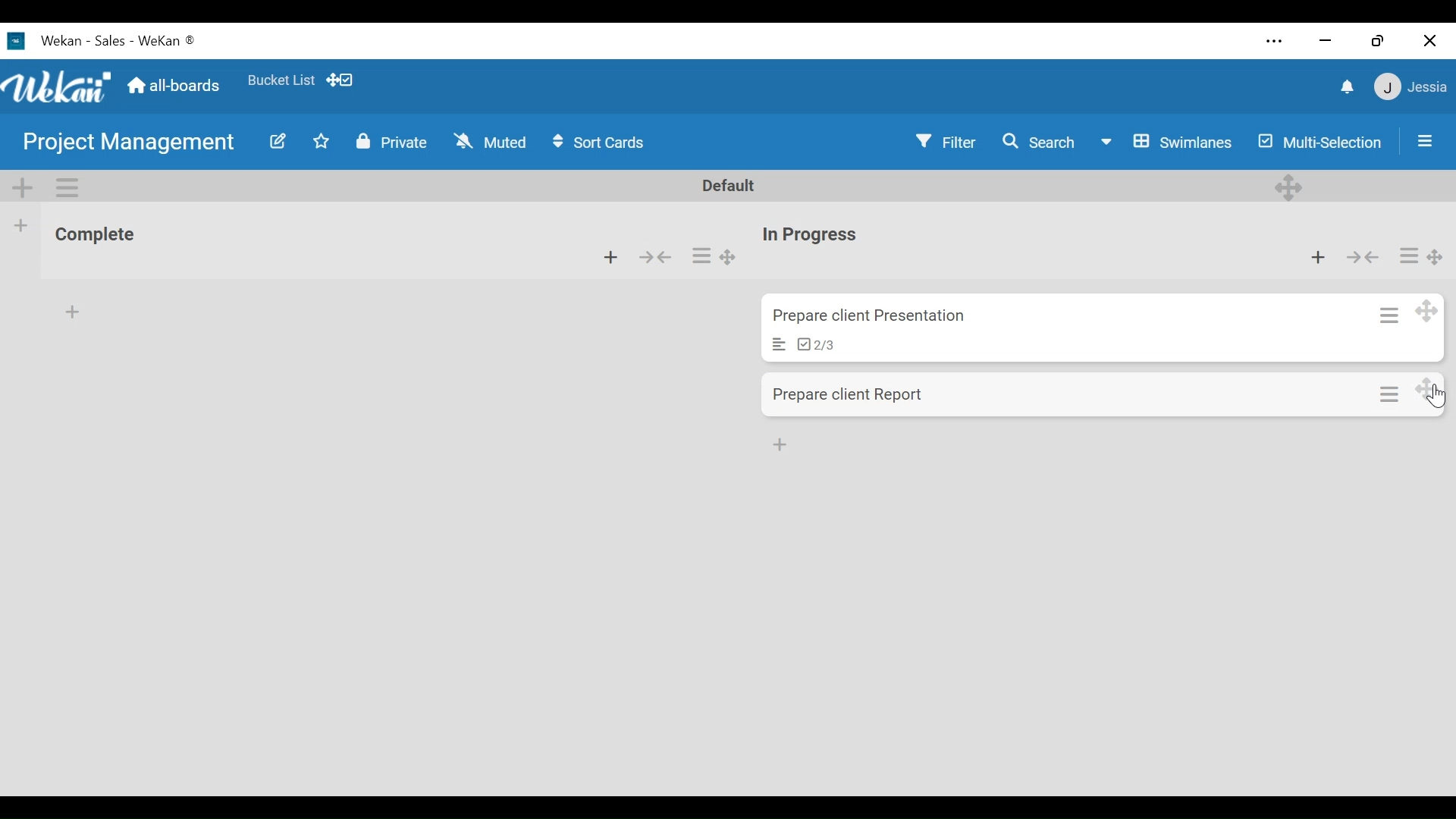 The height and width of the screenshot is (819, 1456). I want to click on Desktop drag handles, so click(1436, 256).